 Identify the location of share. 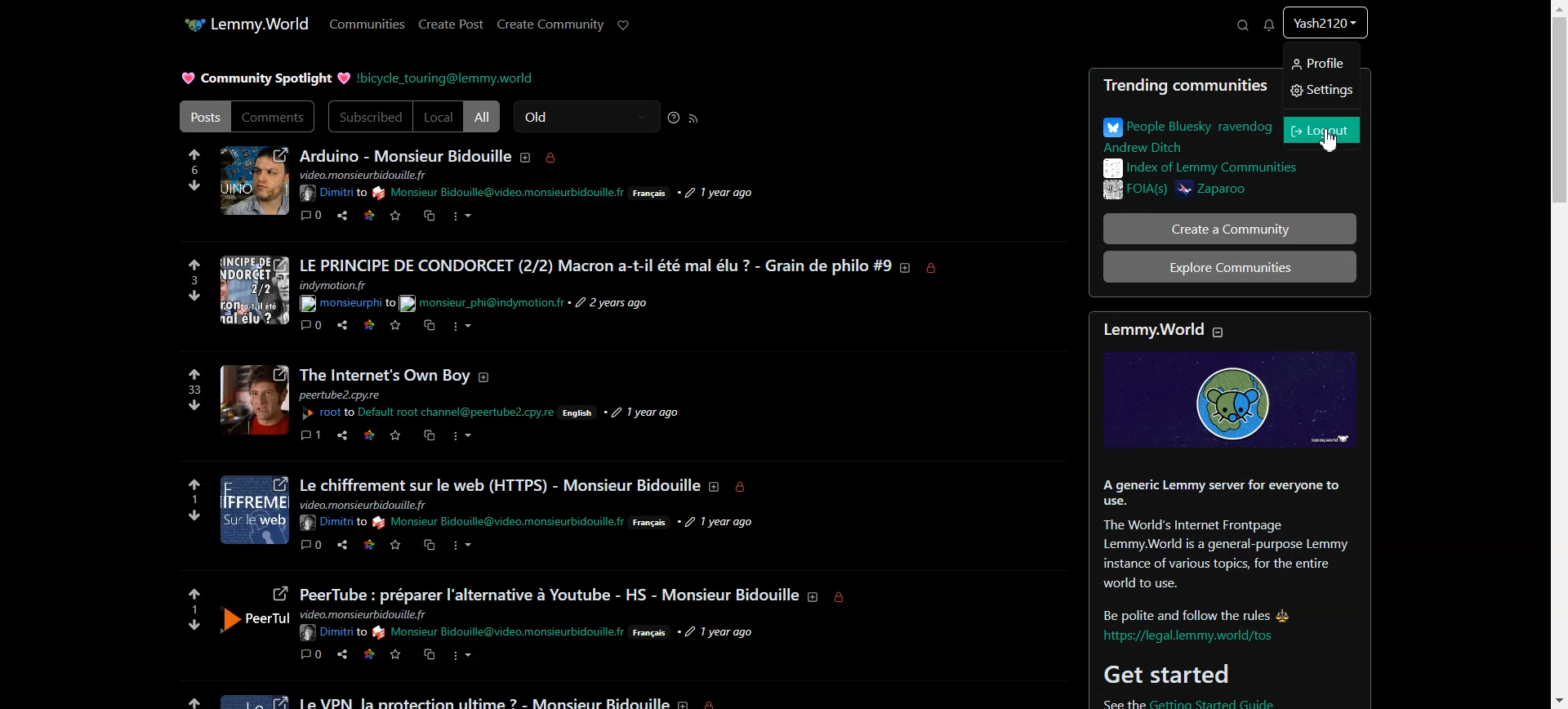
(341, 653).